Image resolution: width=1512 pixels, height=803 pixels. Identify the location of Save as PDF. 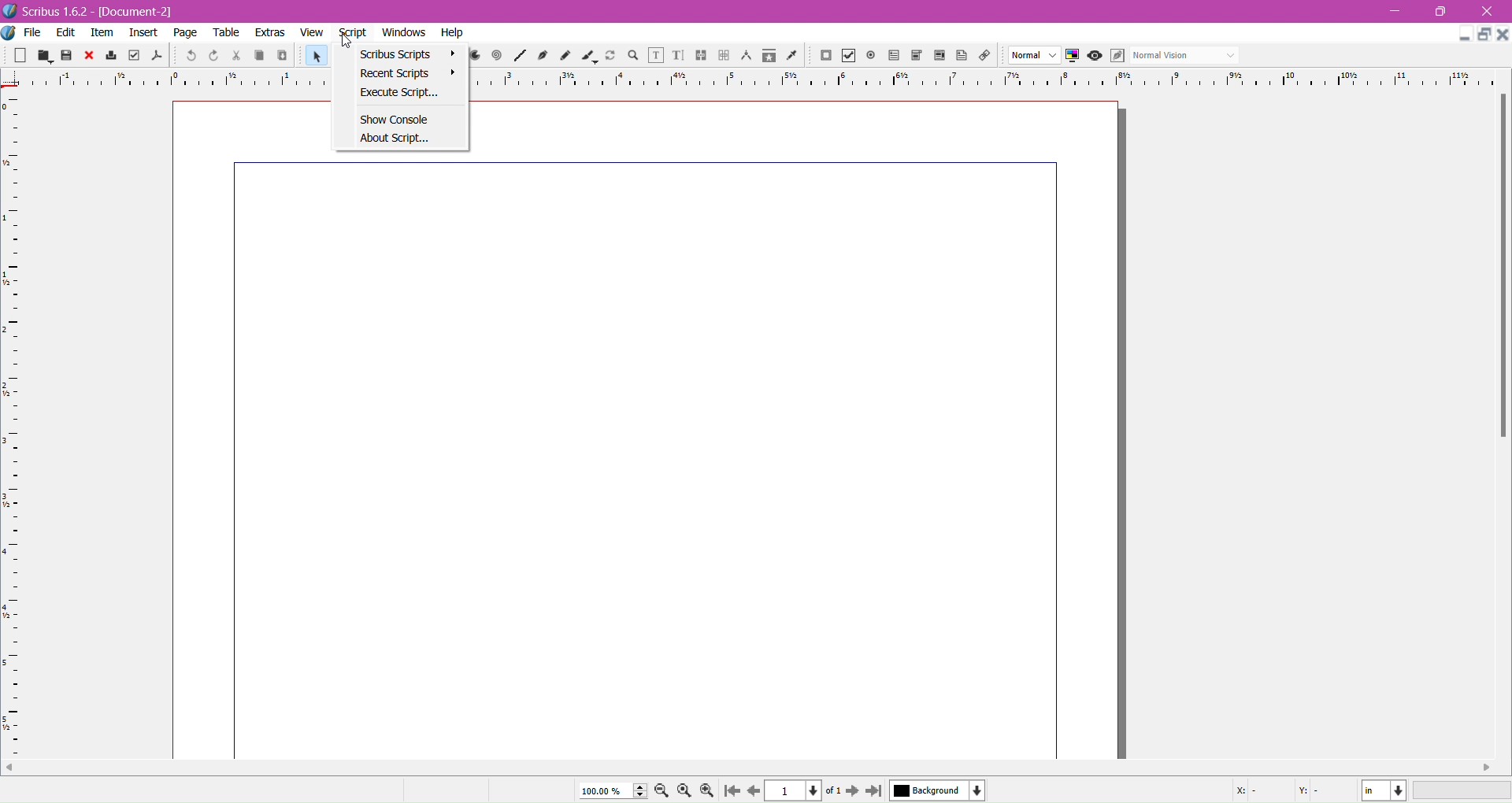
(157, 56).